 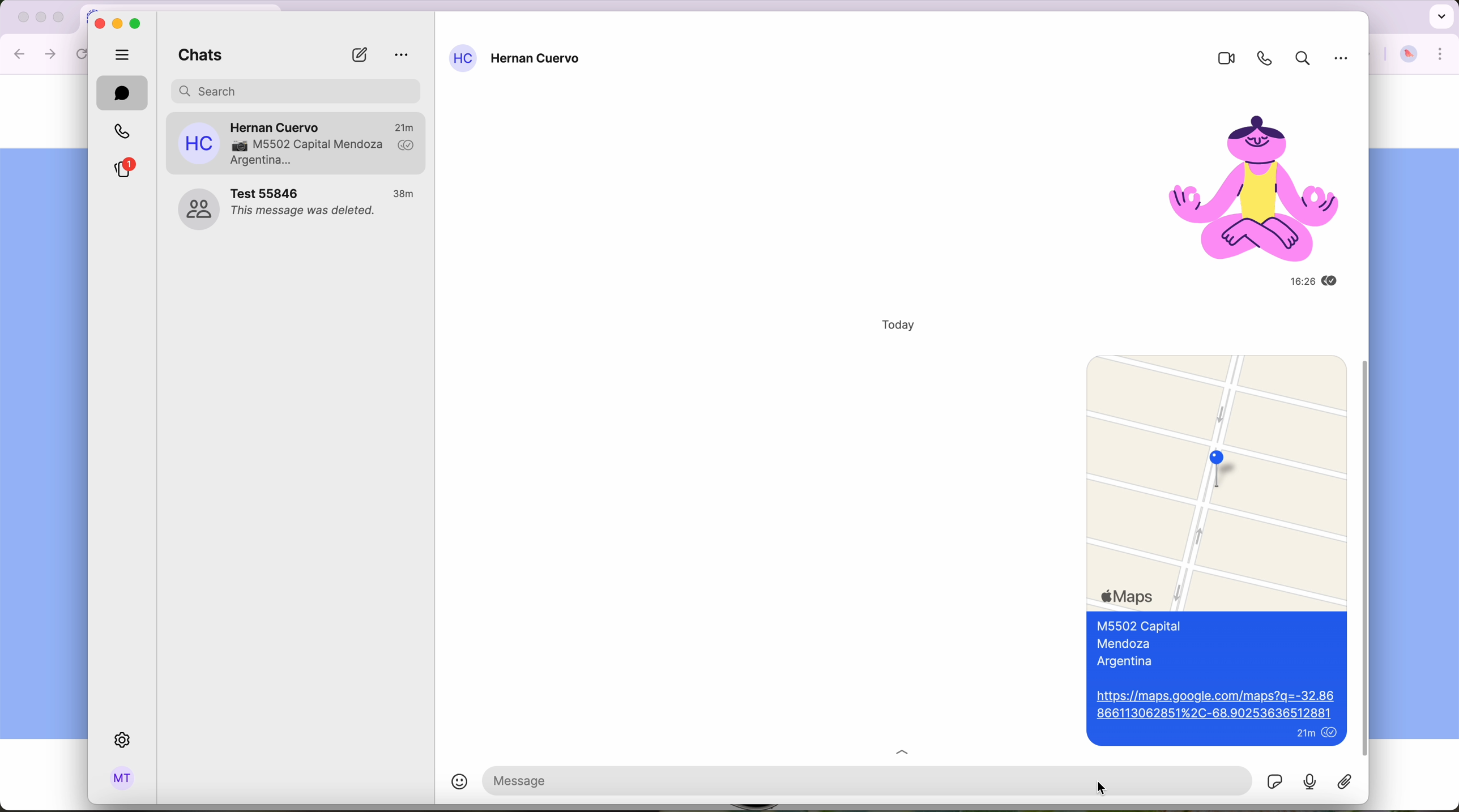 I want to click on 21m, so click(x=1304, y=735).